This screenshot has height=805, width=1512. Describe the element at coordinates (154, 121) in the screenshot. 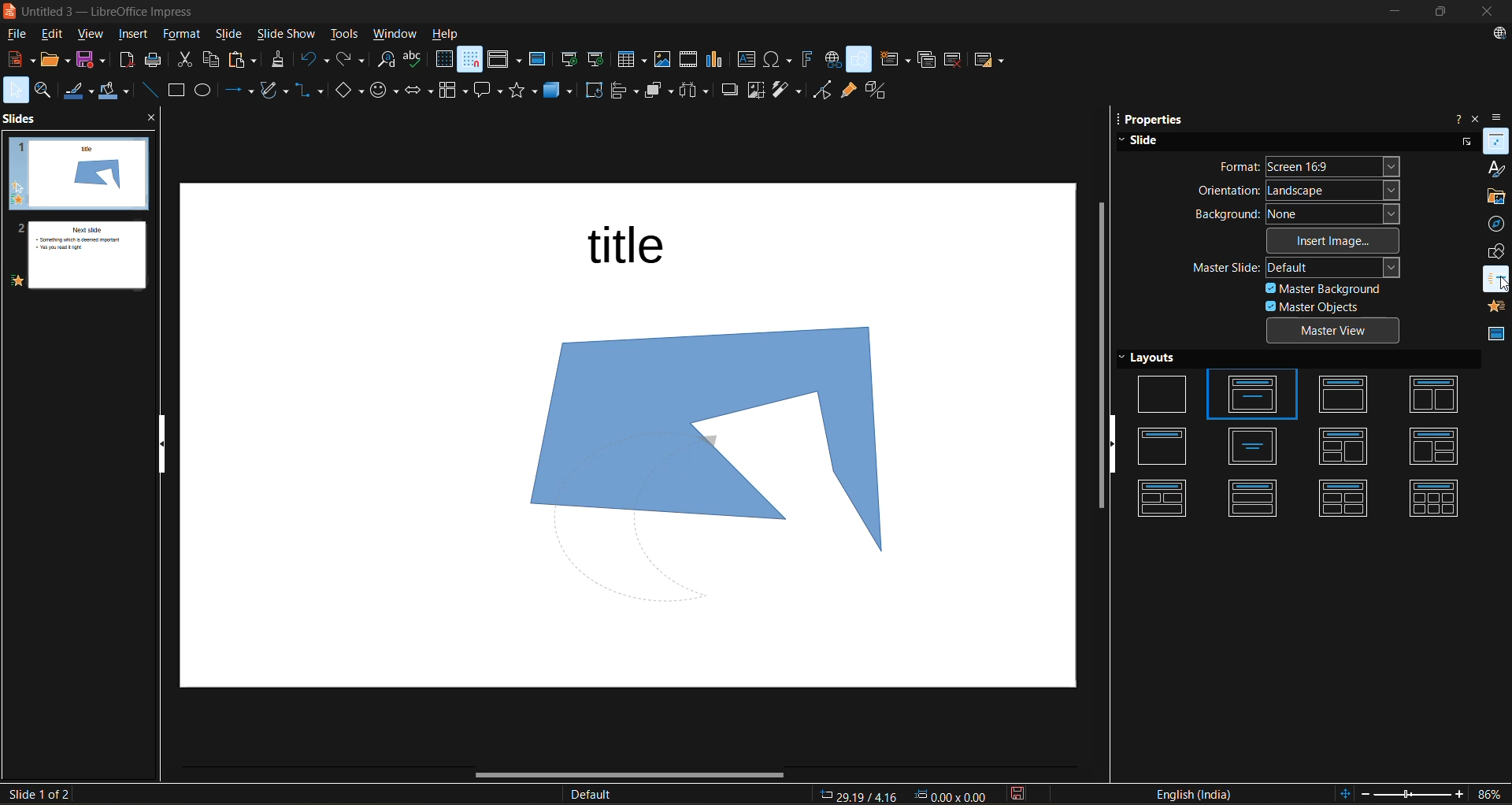

I see `close pane` at that location.